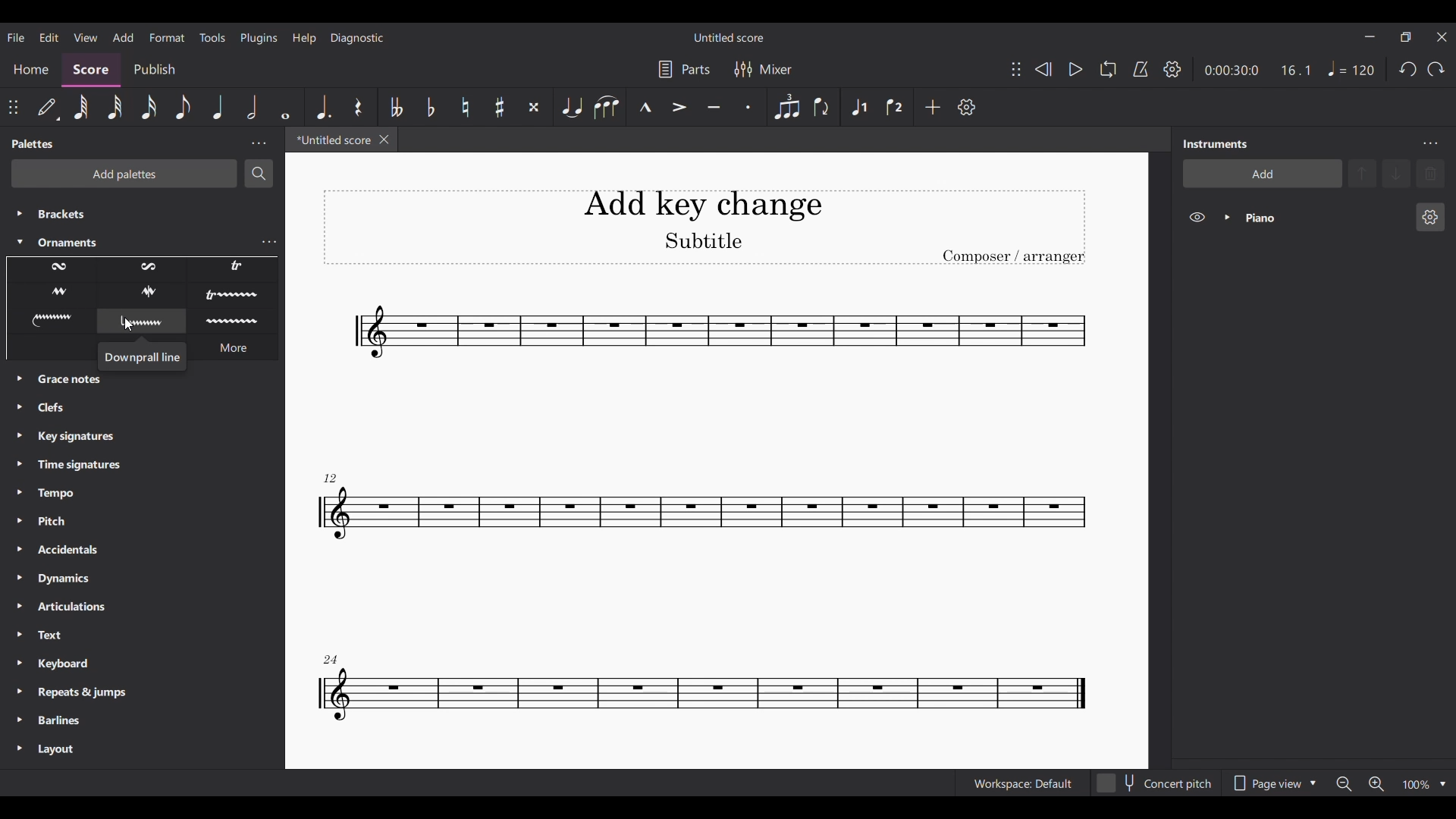 Image resolution: width=1456 pixels, height=819 pixels. What do you see at coordinates (323, 107) in the screenshot?
I see `Augmentation dot` at bounding box center [323, 107].